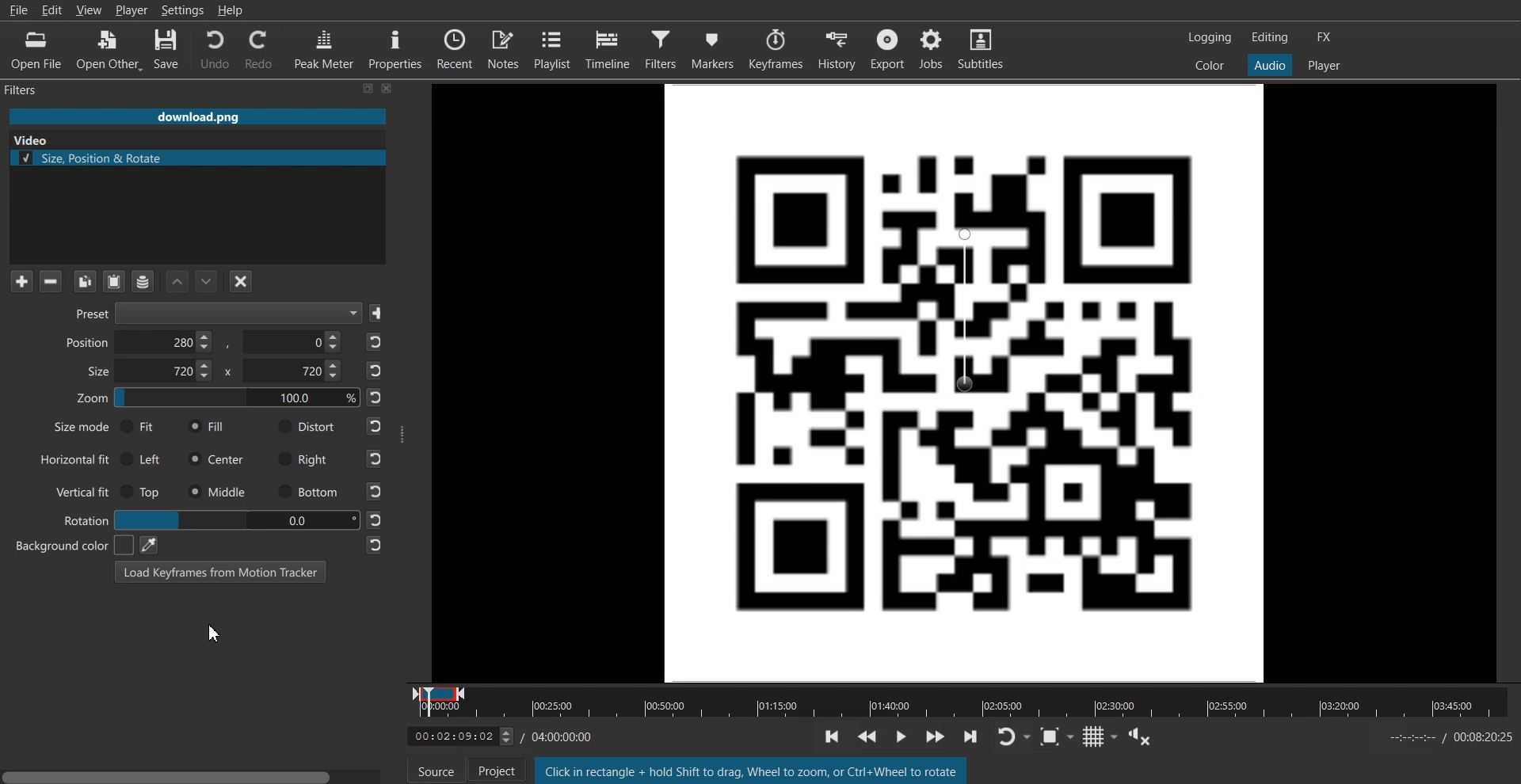 The image size is (1521, 784). Describe the element at coordinates (220, 571) in the screenshot. I see `Load Keyframe From Motion Tracker` at that location.